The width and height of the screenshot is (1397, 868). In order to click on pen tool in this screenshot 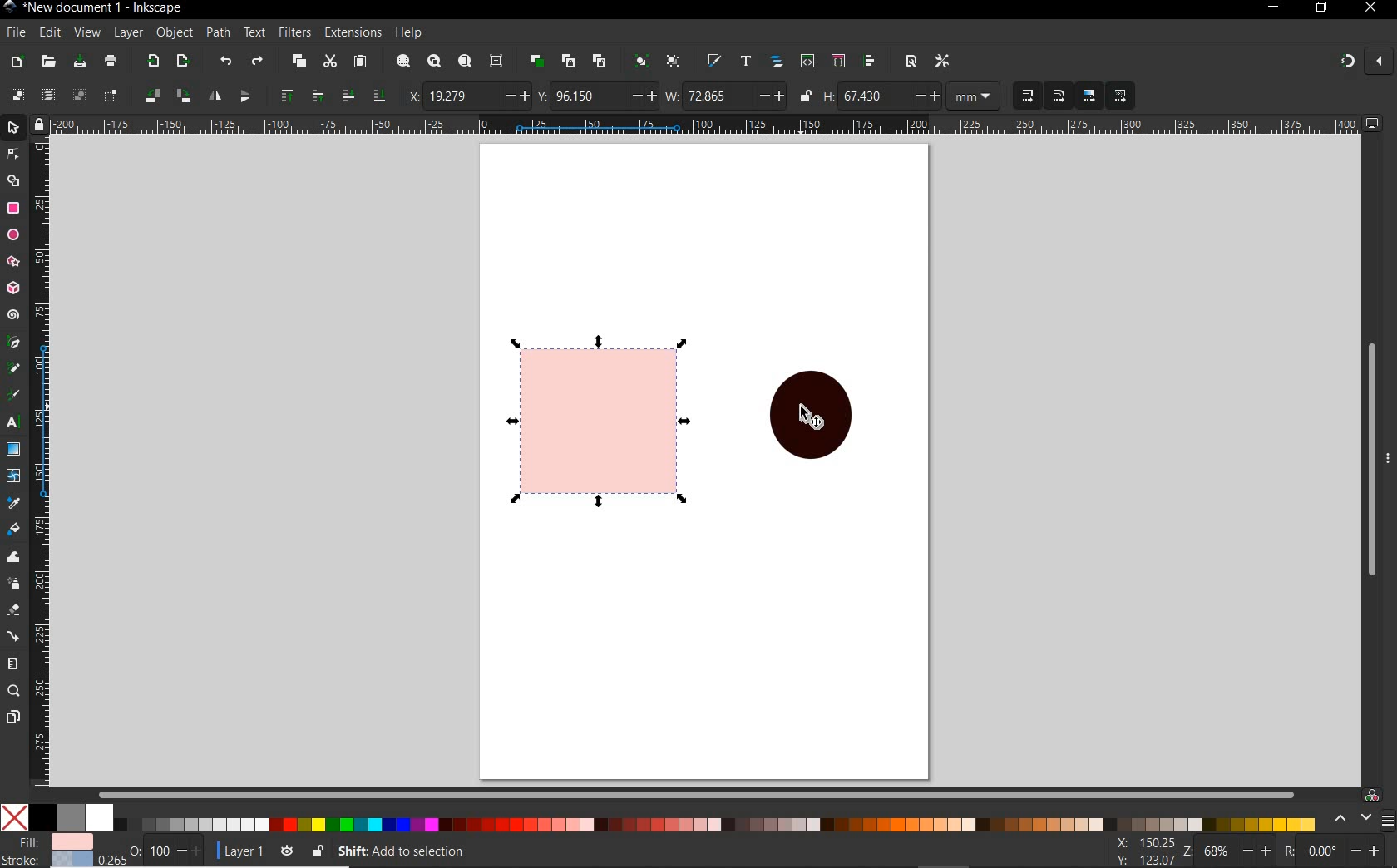, I will do `click(12, 341)`.